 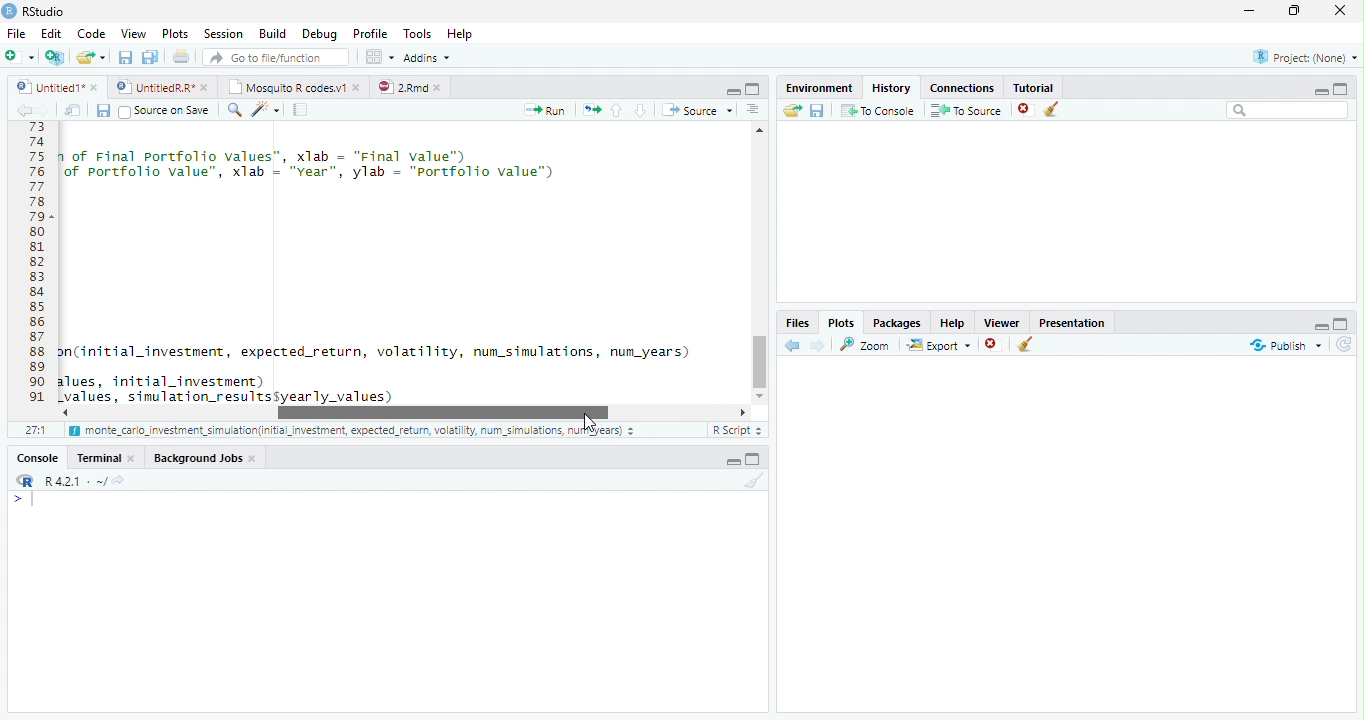 I want to click on Workspace Panes, so click(x=379, y=57).